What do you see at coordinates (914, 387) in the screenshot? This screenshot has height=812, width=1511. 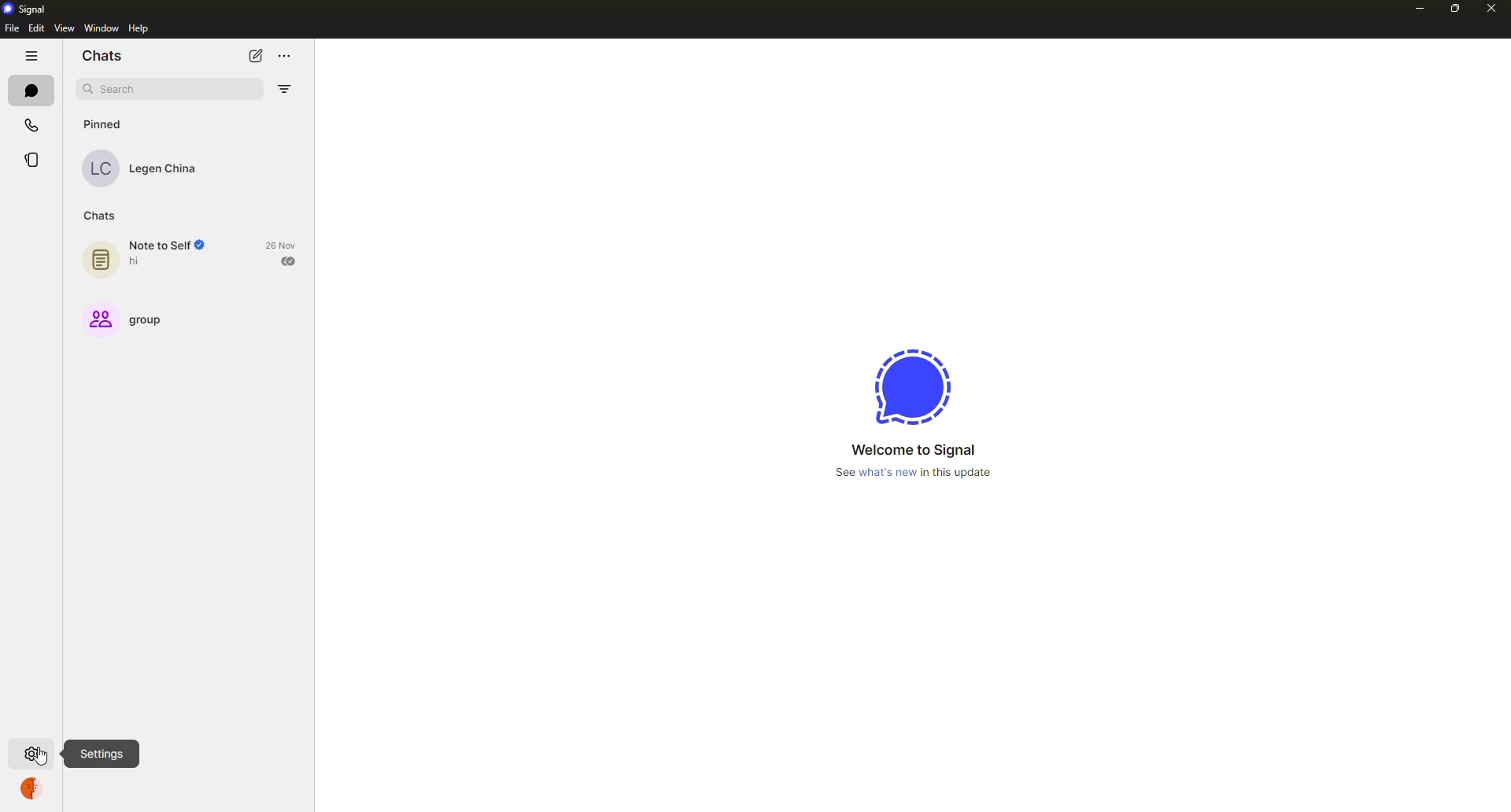 I see `signal` at bounding box center [914, 387].